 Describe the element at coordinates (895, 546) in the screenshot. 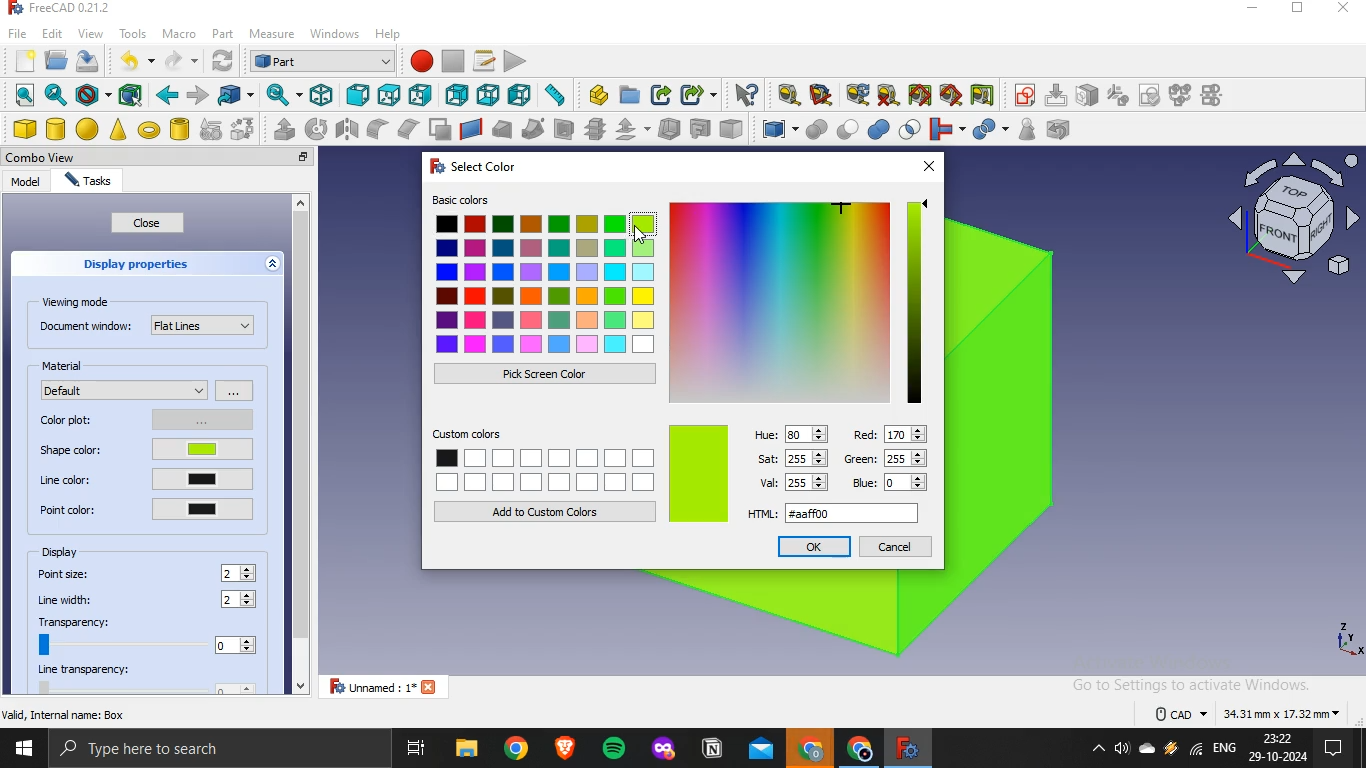

I see `cancel` at that location.